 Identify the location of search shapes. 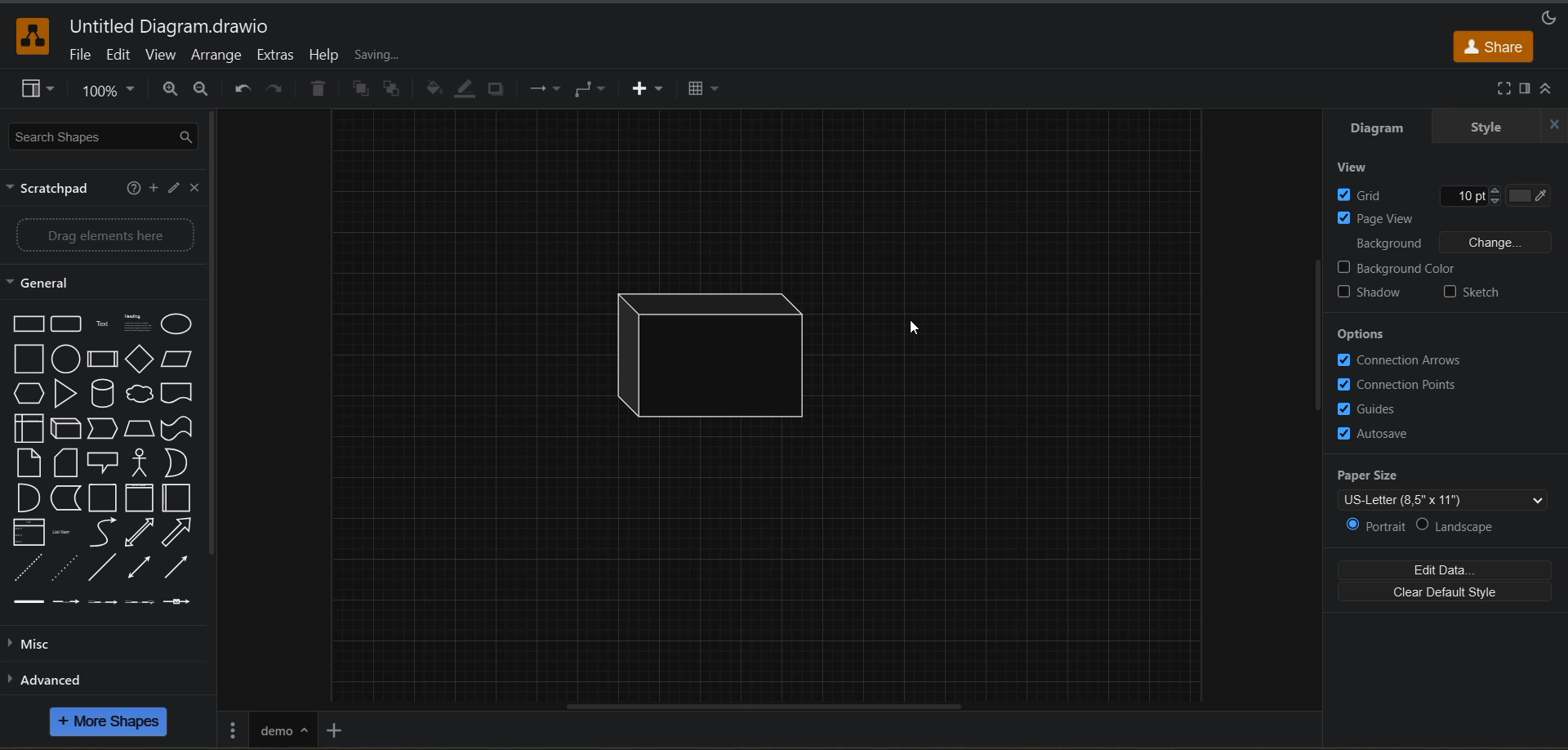
(107, 138).